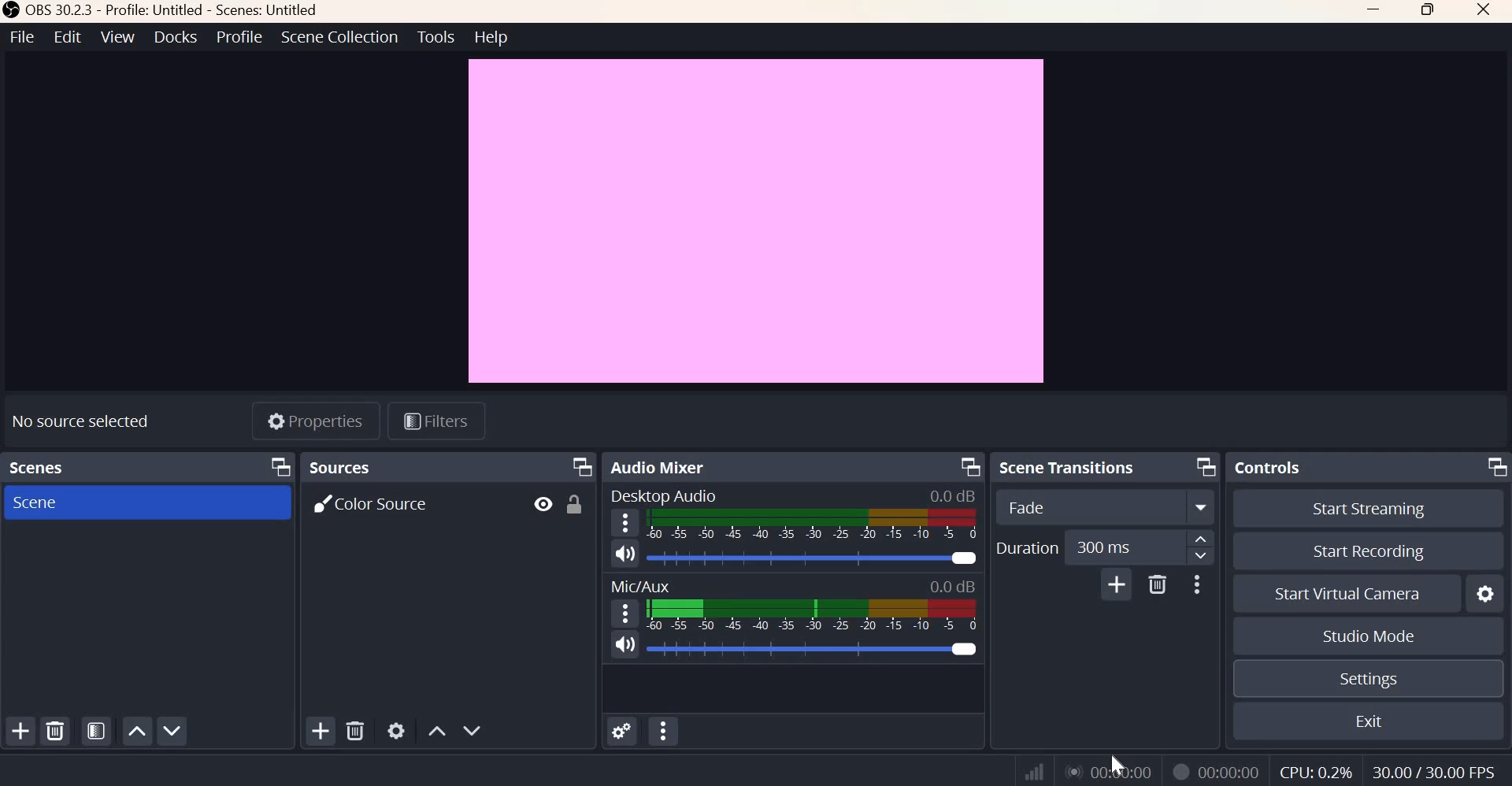  Describe the element at coordinates (61, 502) in the screenshot. I see `Scene` at that location.